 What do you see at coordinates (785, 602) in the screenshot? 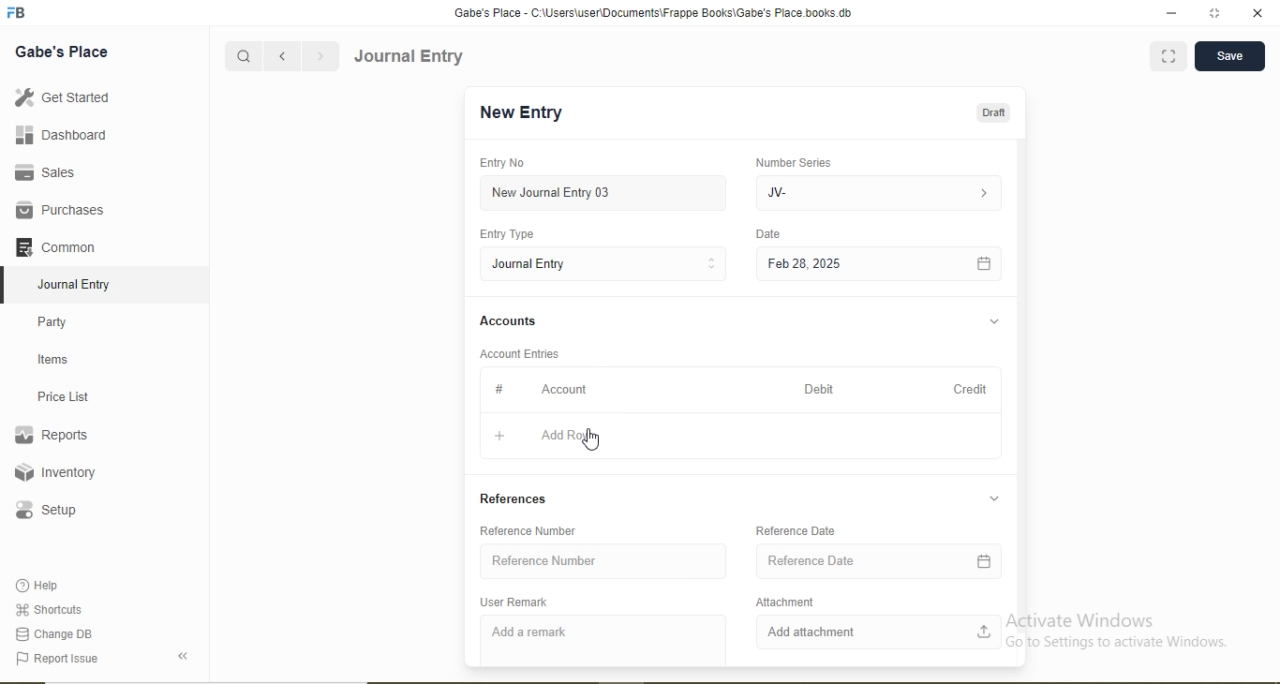
I see `Attachment` at bounding box center [785, 602].